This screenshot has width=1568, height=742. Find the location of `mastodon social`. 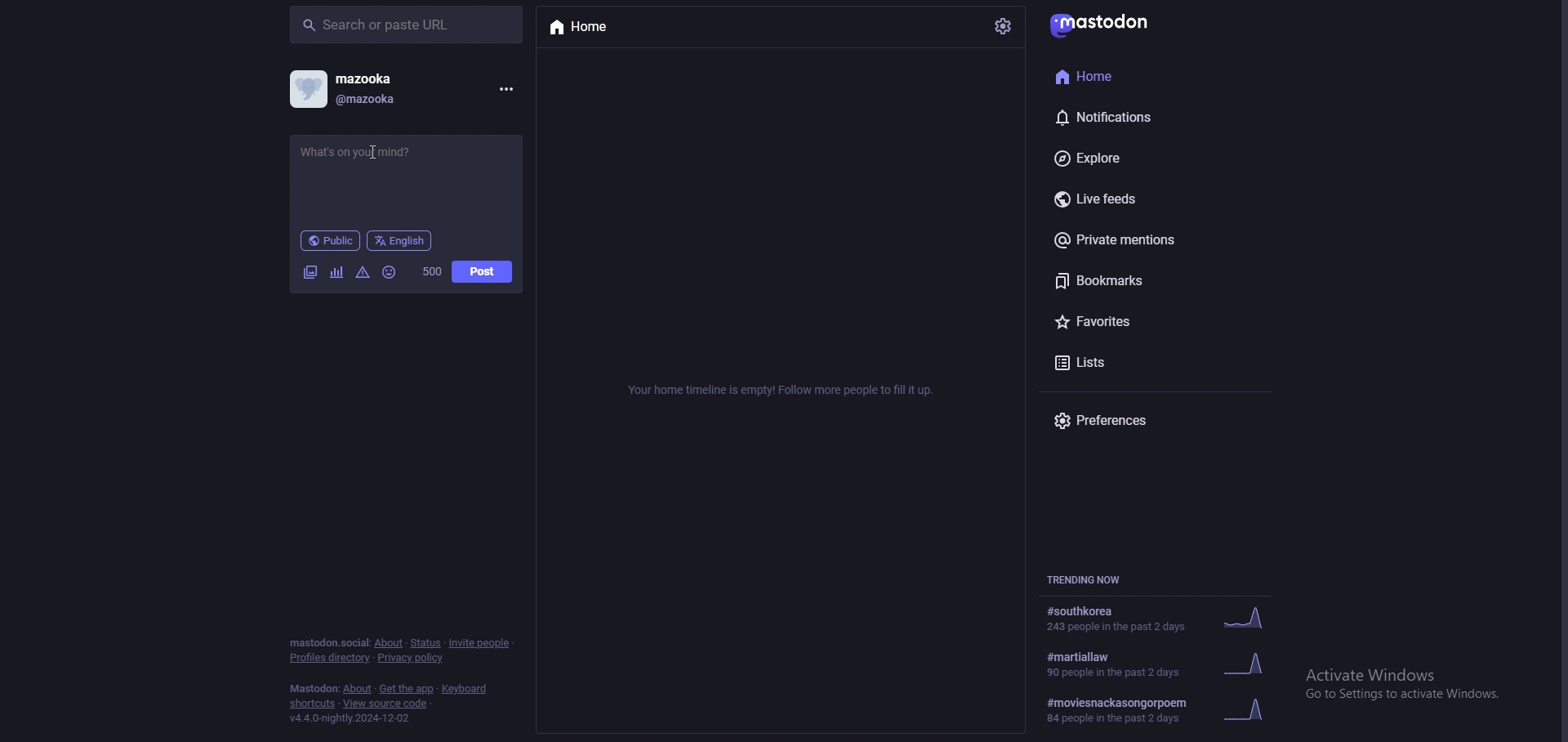

mastodon social is located at coordinates (327, 642).